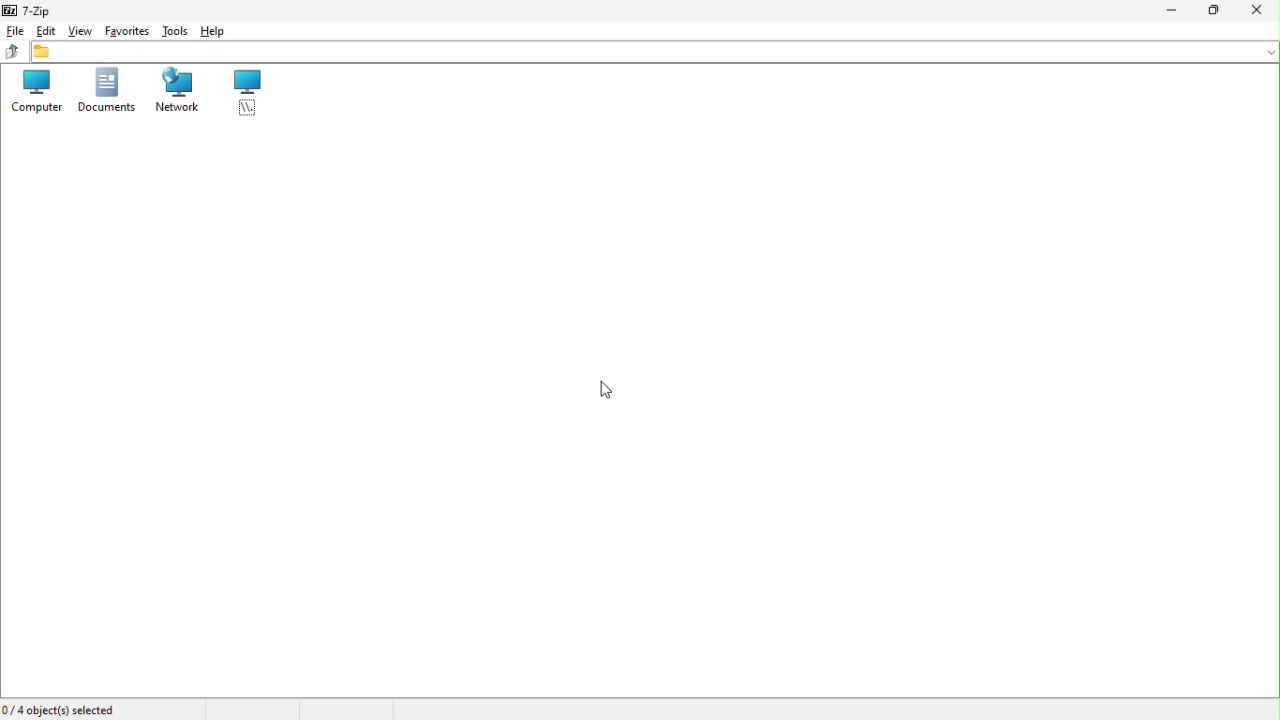 Image resolution: width=1280 pixels, height=720 pixels. I want to click on edit, so click(45, 33).